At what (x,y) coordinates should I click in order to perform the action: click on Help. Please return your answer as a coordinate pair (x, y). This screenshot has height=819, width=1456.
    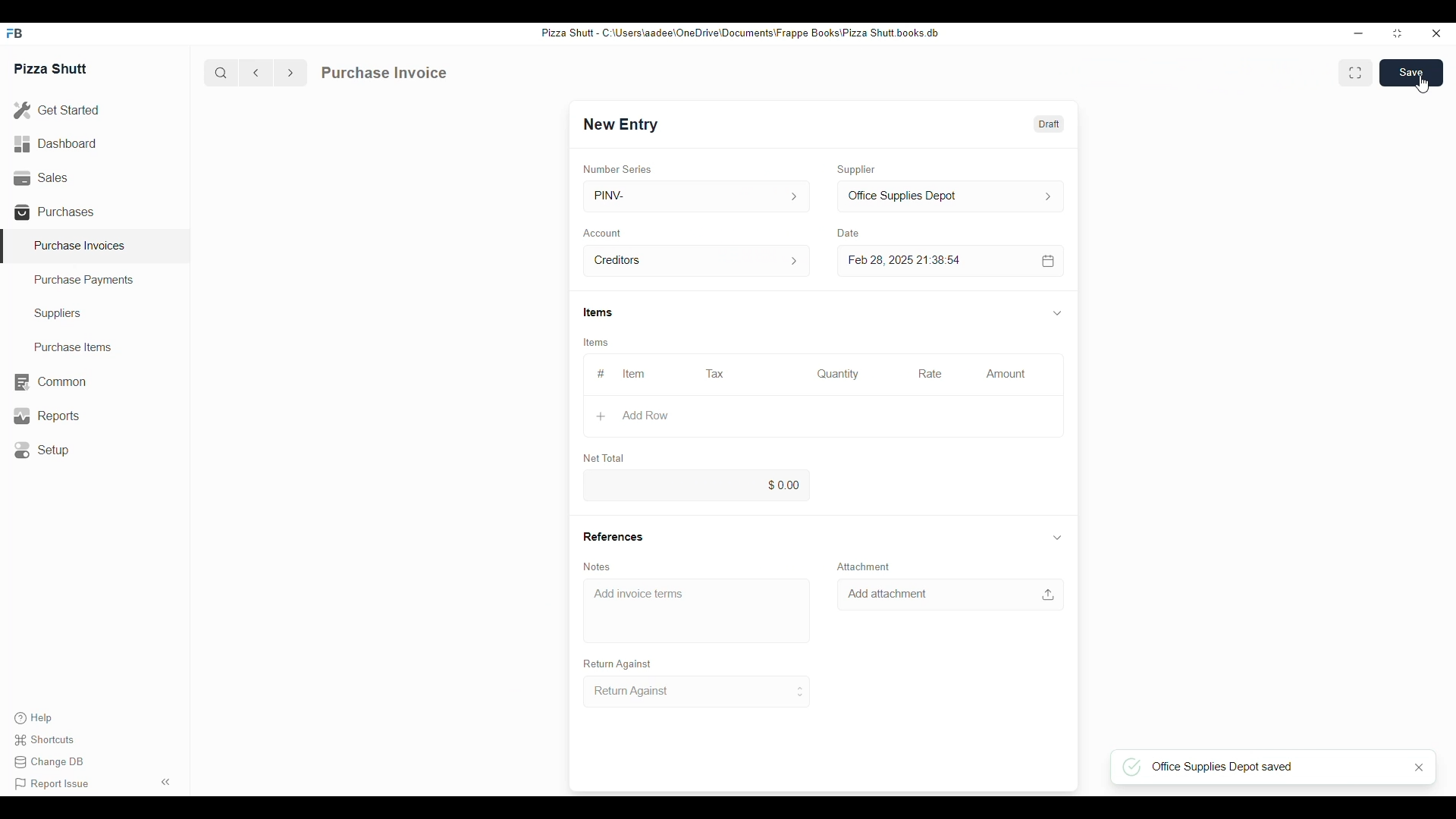
    Looking at the image, I should click on (32, 718).